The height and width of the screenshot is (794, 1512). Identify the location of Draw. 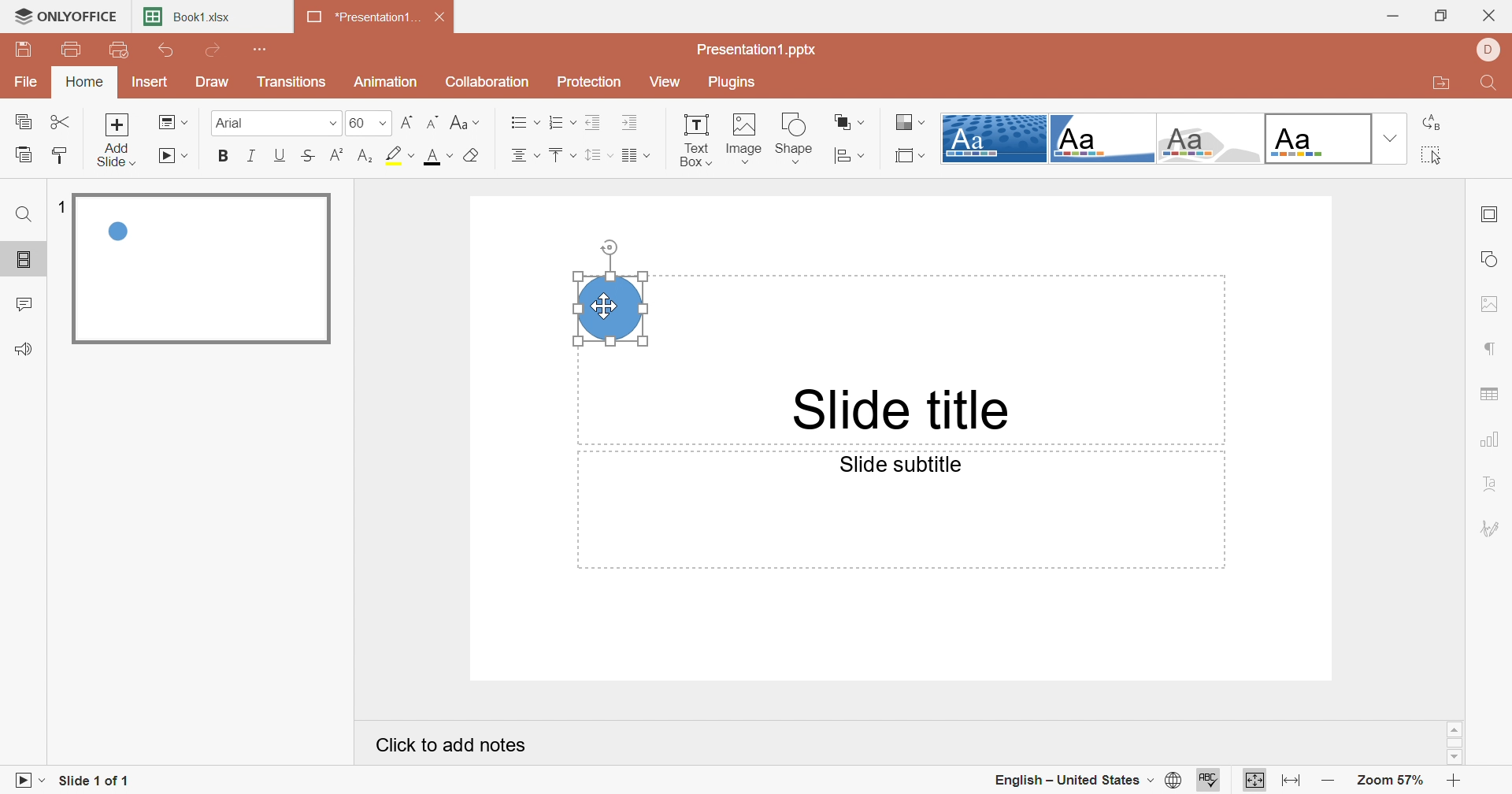
(215, 81).